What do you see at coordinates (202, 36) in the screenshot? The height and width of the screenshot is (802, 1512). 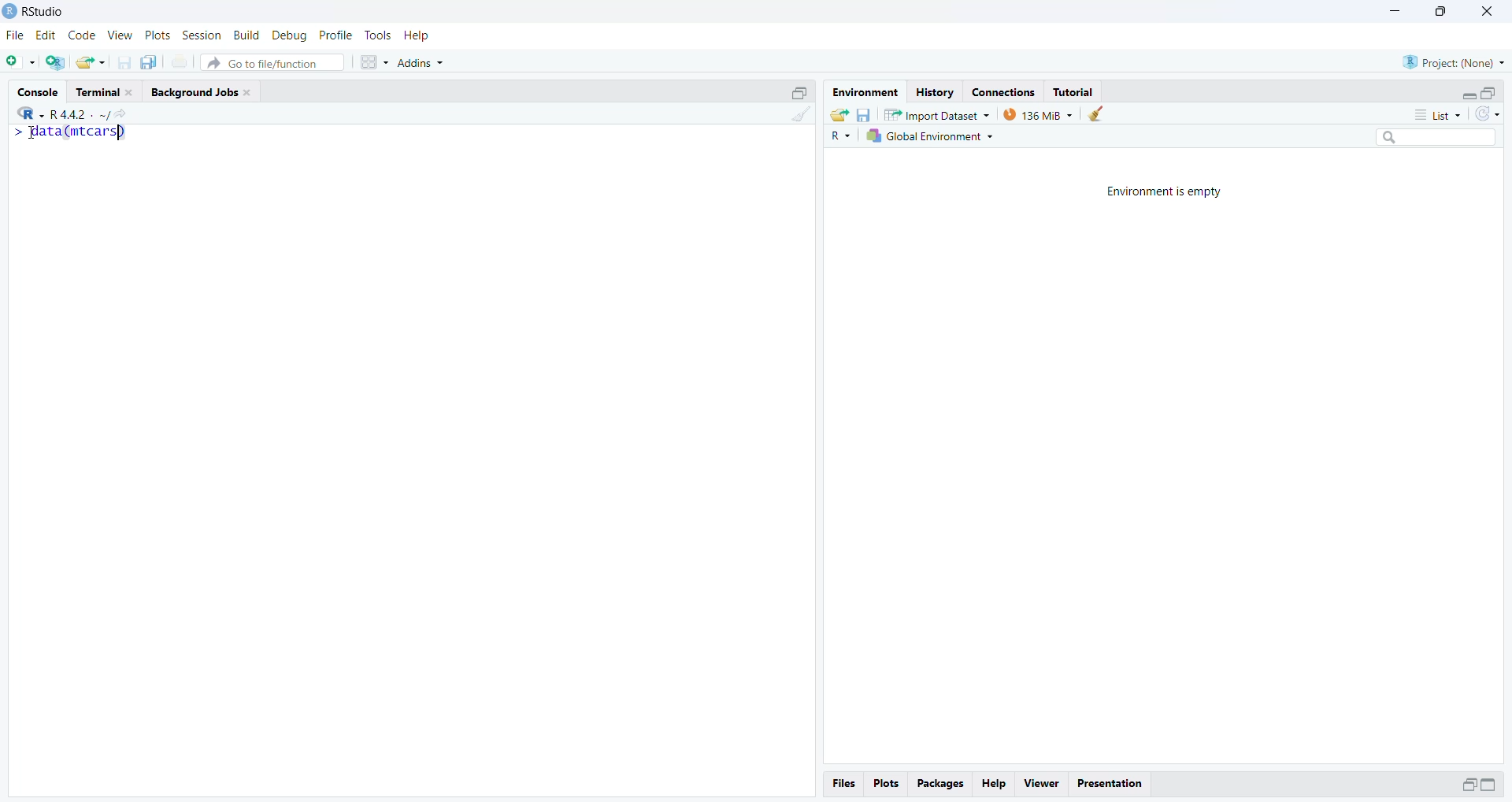 I see `Session` at bounding box center [202, 36].